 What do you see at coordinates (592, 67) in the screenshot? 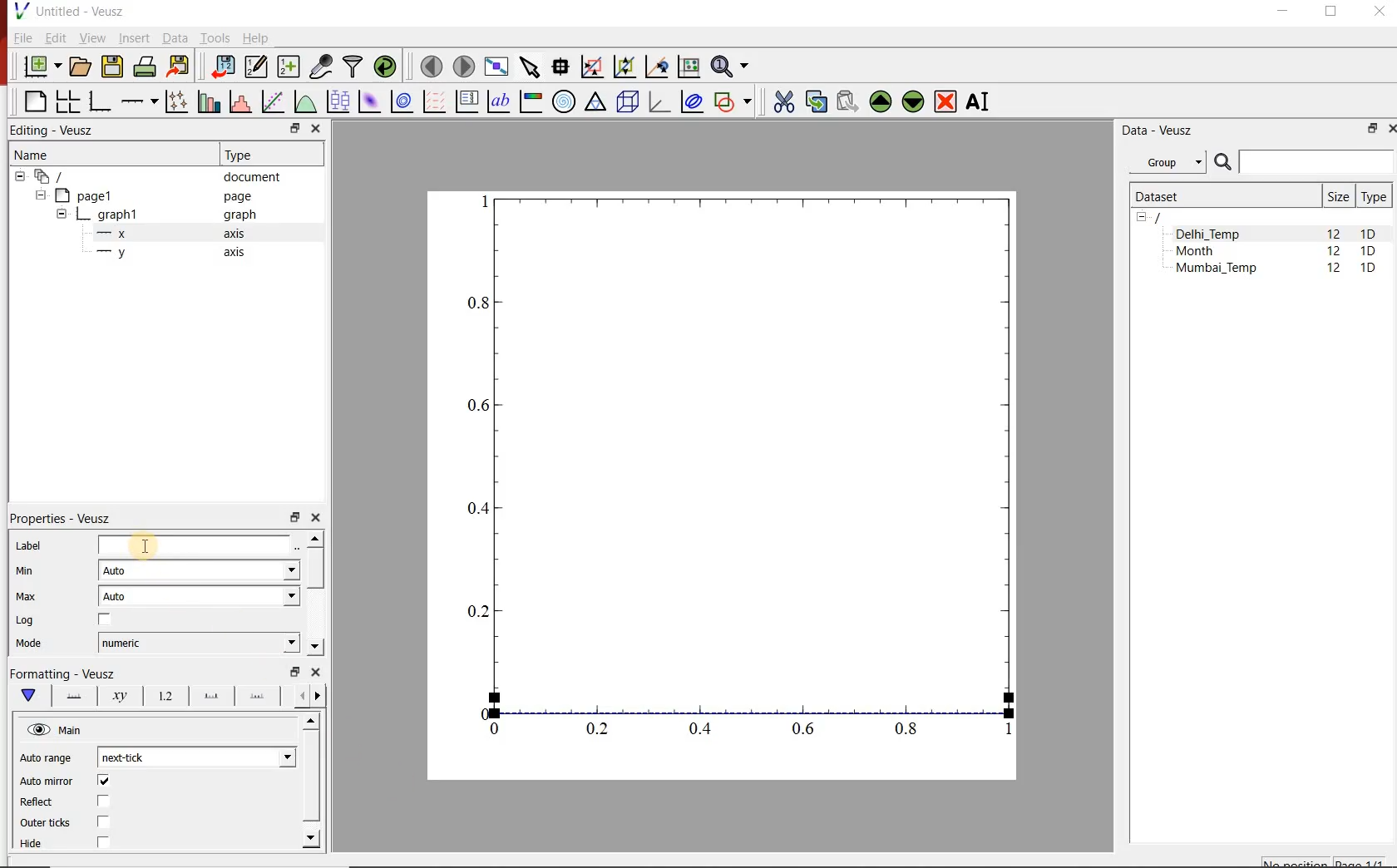
I see `click or draw a rectangle to zoom graph indexes` at bounding box center [592, 67].